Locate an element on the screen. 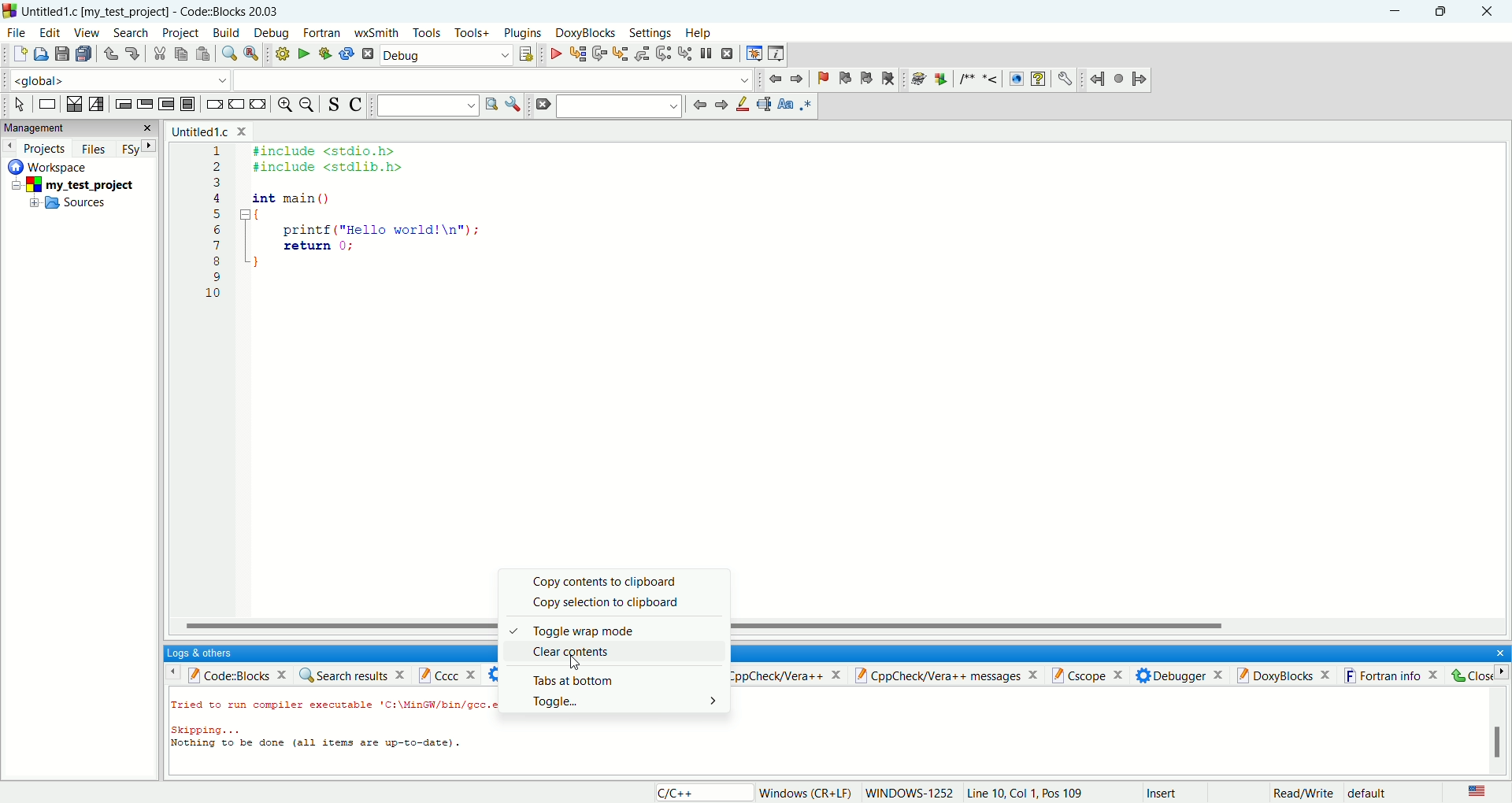 Image resolution: width=1512 pixels, height=803 pixels. tools is located at coordinates (426, 33).